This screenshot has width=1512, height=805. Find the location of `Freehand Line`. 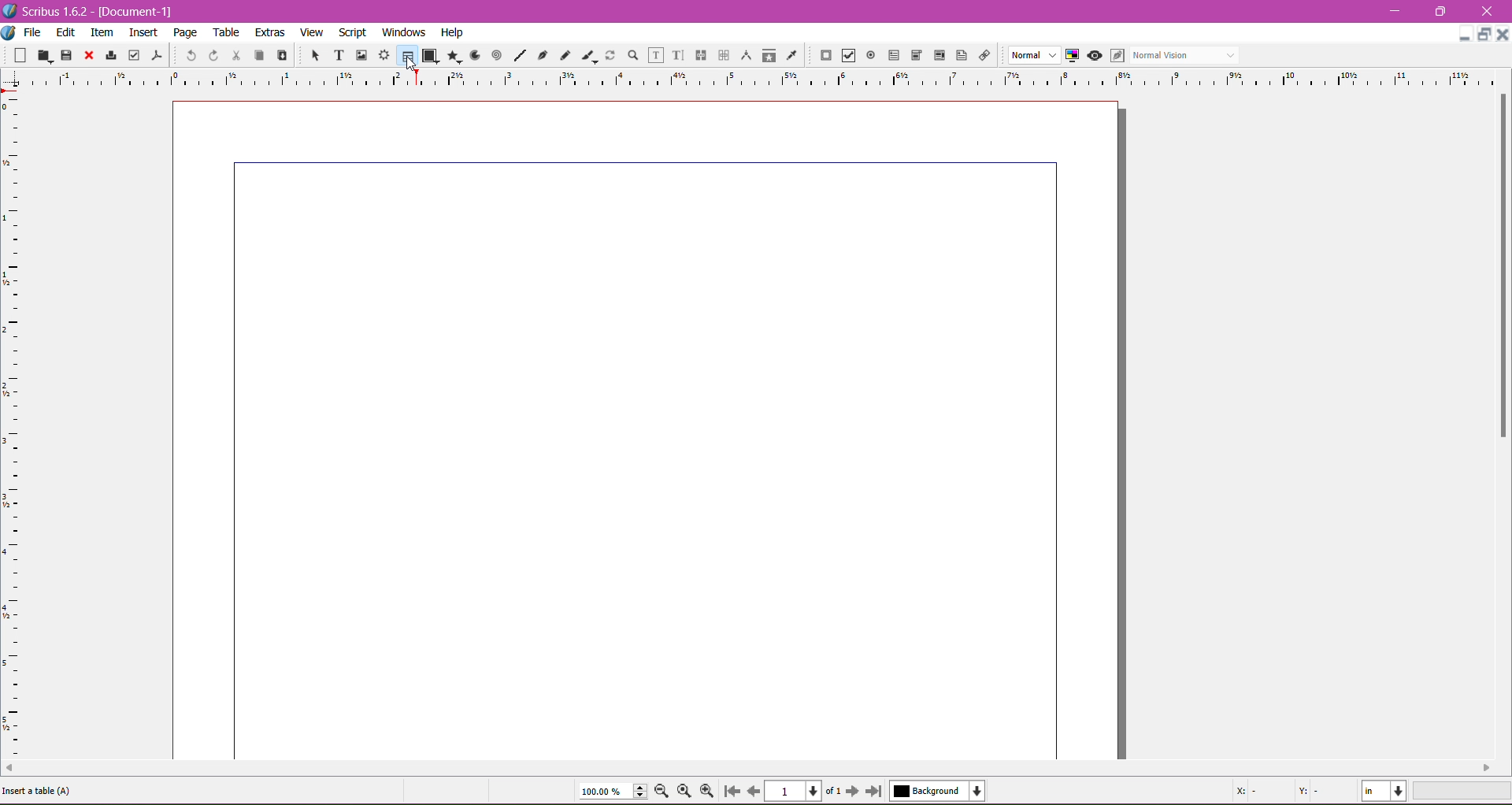

Freehand Line is located at coordinates (565, 56).